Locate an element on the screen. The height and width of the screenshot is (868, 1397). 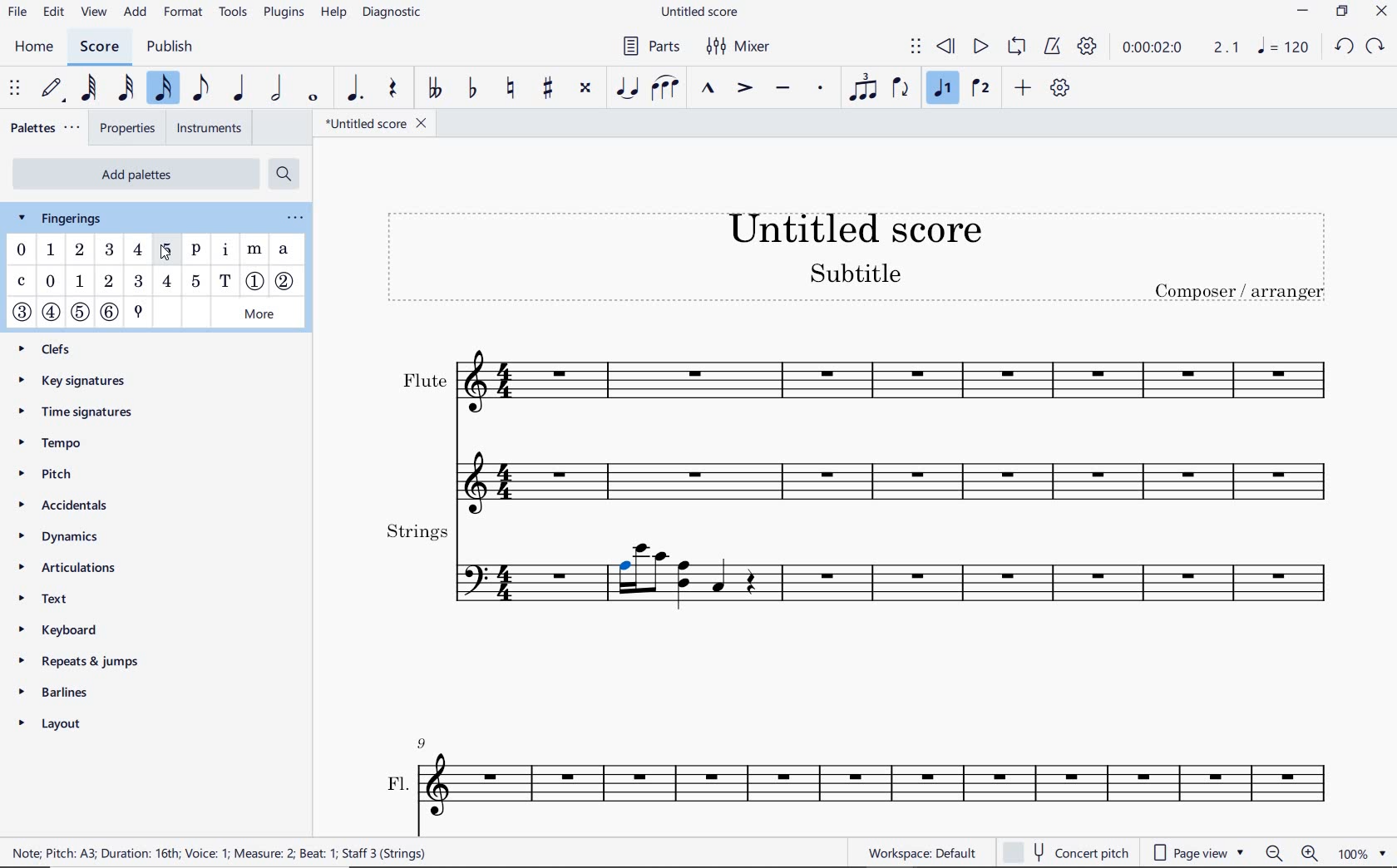
toggle sharp is located at coordinates (547, 88).